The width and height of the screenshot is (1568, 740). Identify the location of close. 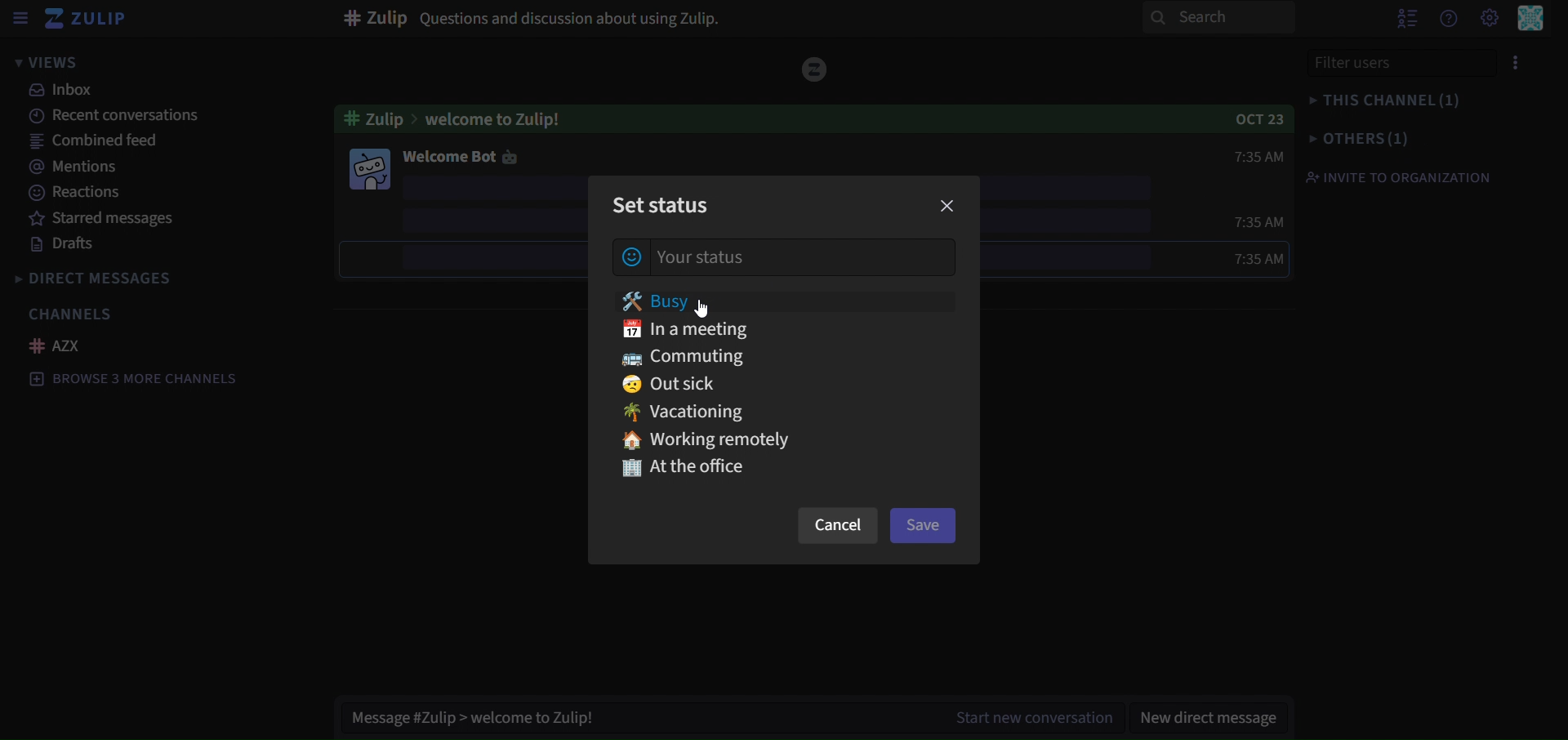
(947, 206).